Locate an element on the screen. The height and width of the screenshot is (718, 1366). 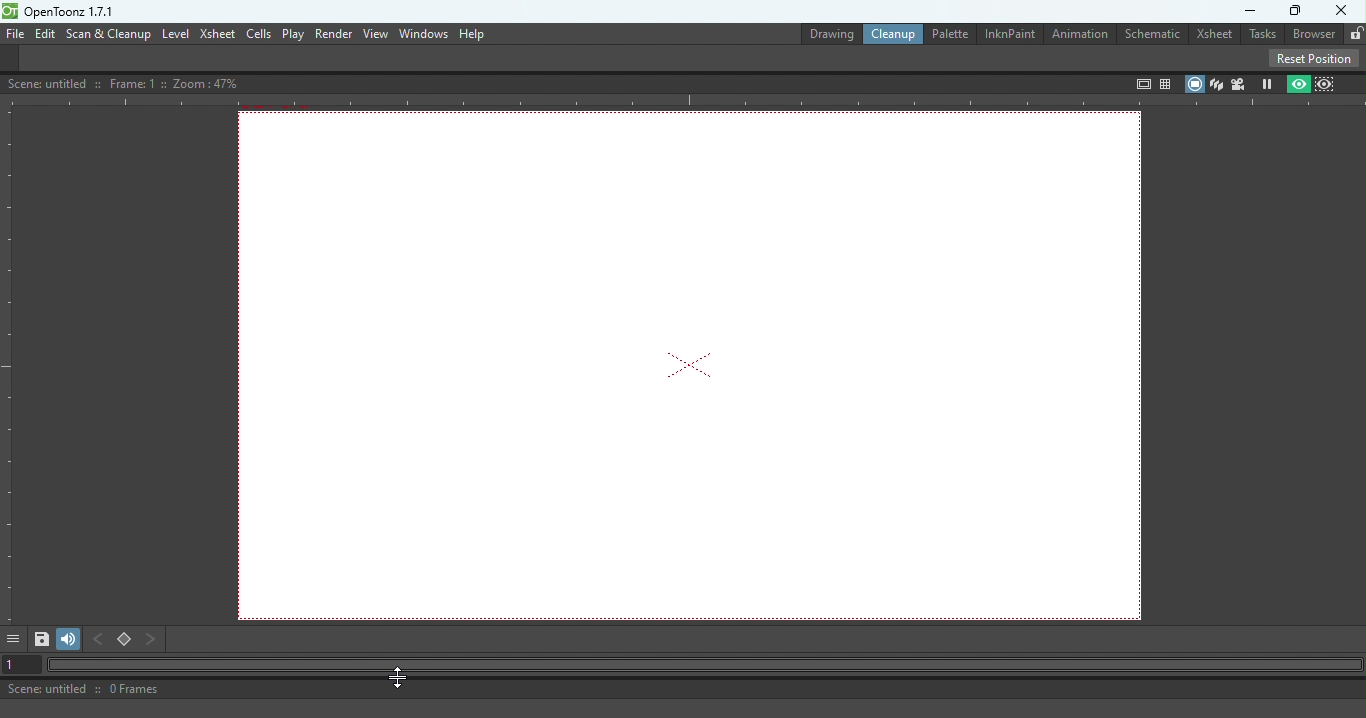
Xsheet is located at coordinates (217, 35).